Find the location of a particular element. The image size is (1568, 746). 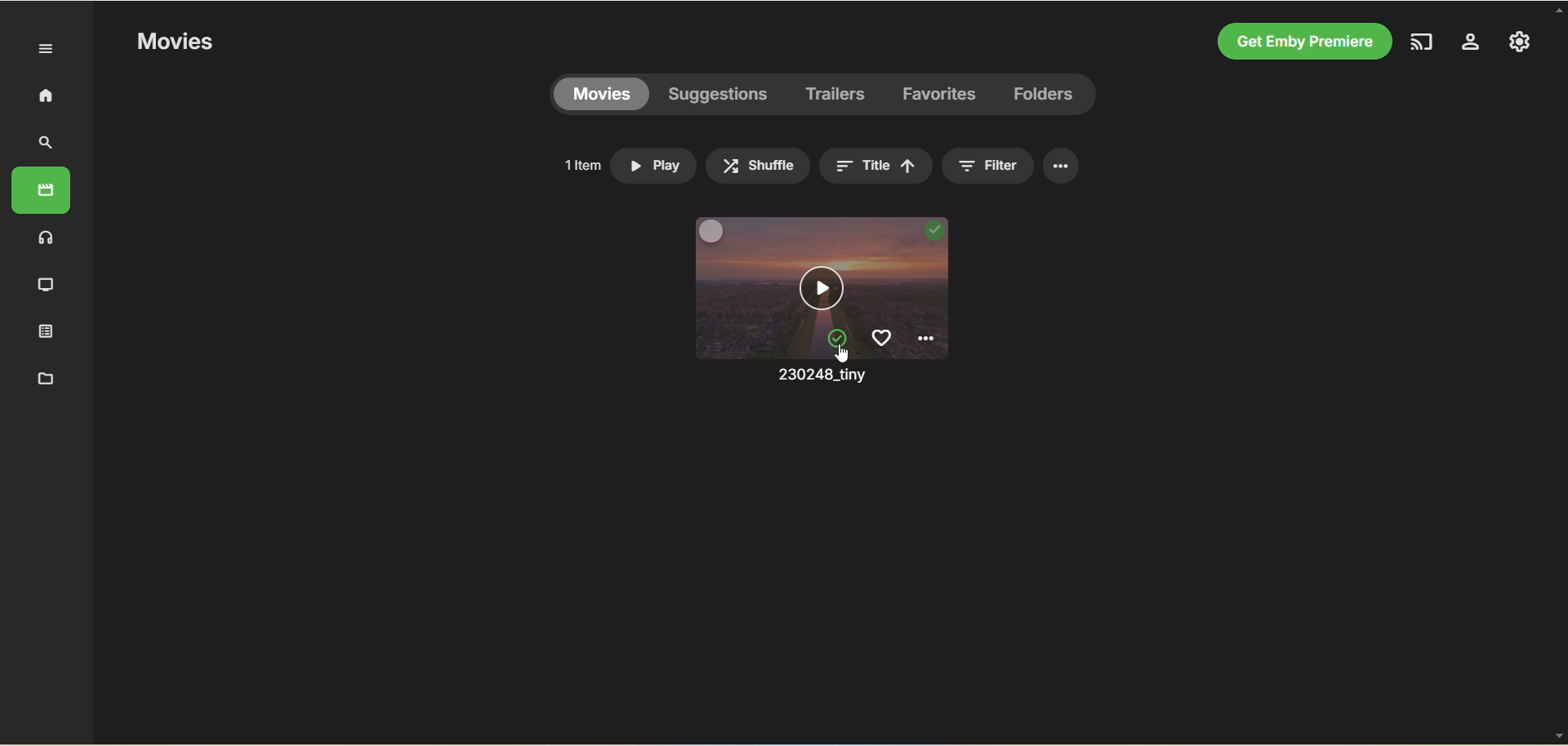

cursor is located at coordinates (842, 353).